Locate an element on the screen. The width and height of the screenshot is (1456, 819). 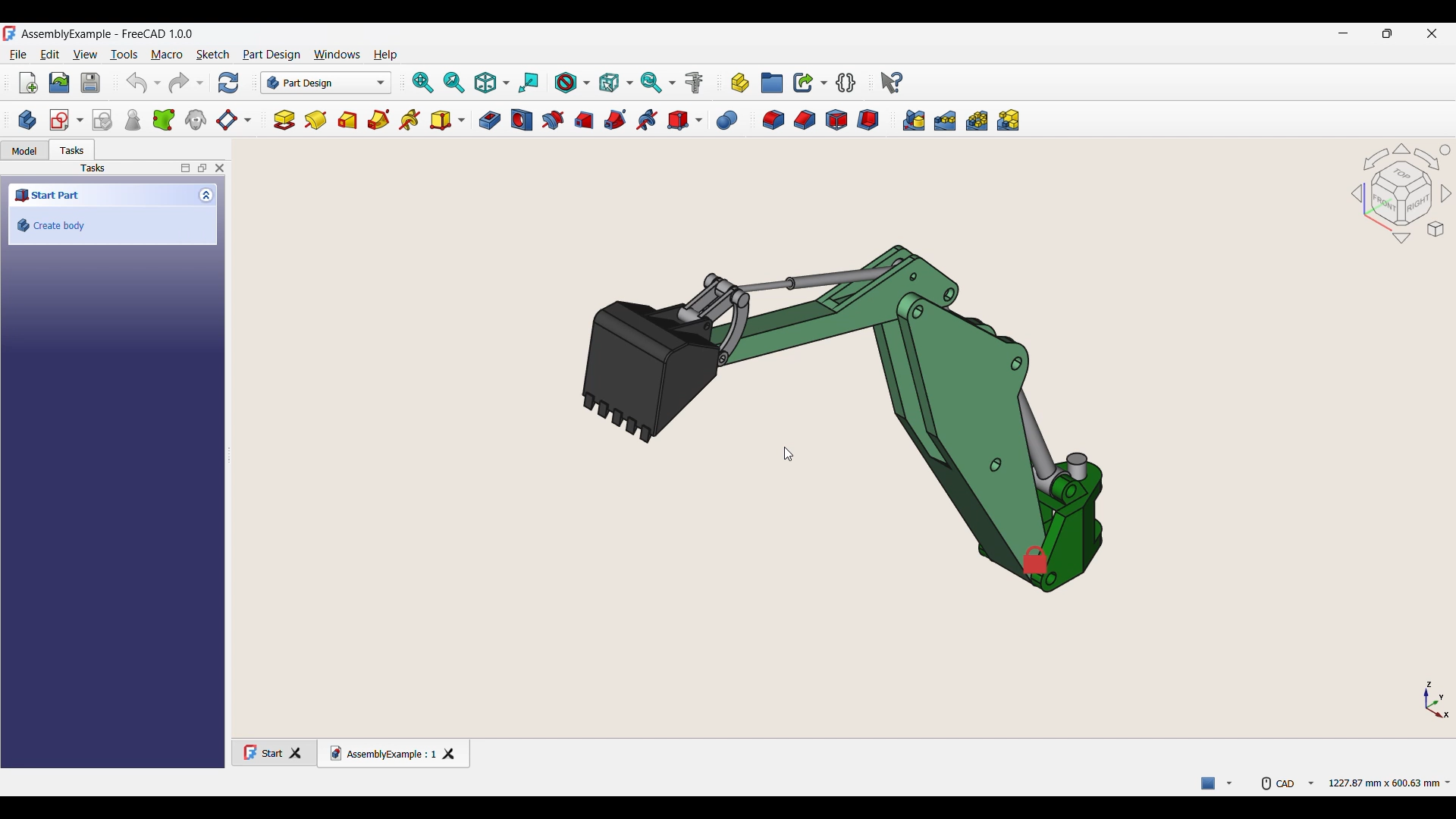
View menu is located at coordinates (85, 55).